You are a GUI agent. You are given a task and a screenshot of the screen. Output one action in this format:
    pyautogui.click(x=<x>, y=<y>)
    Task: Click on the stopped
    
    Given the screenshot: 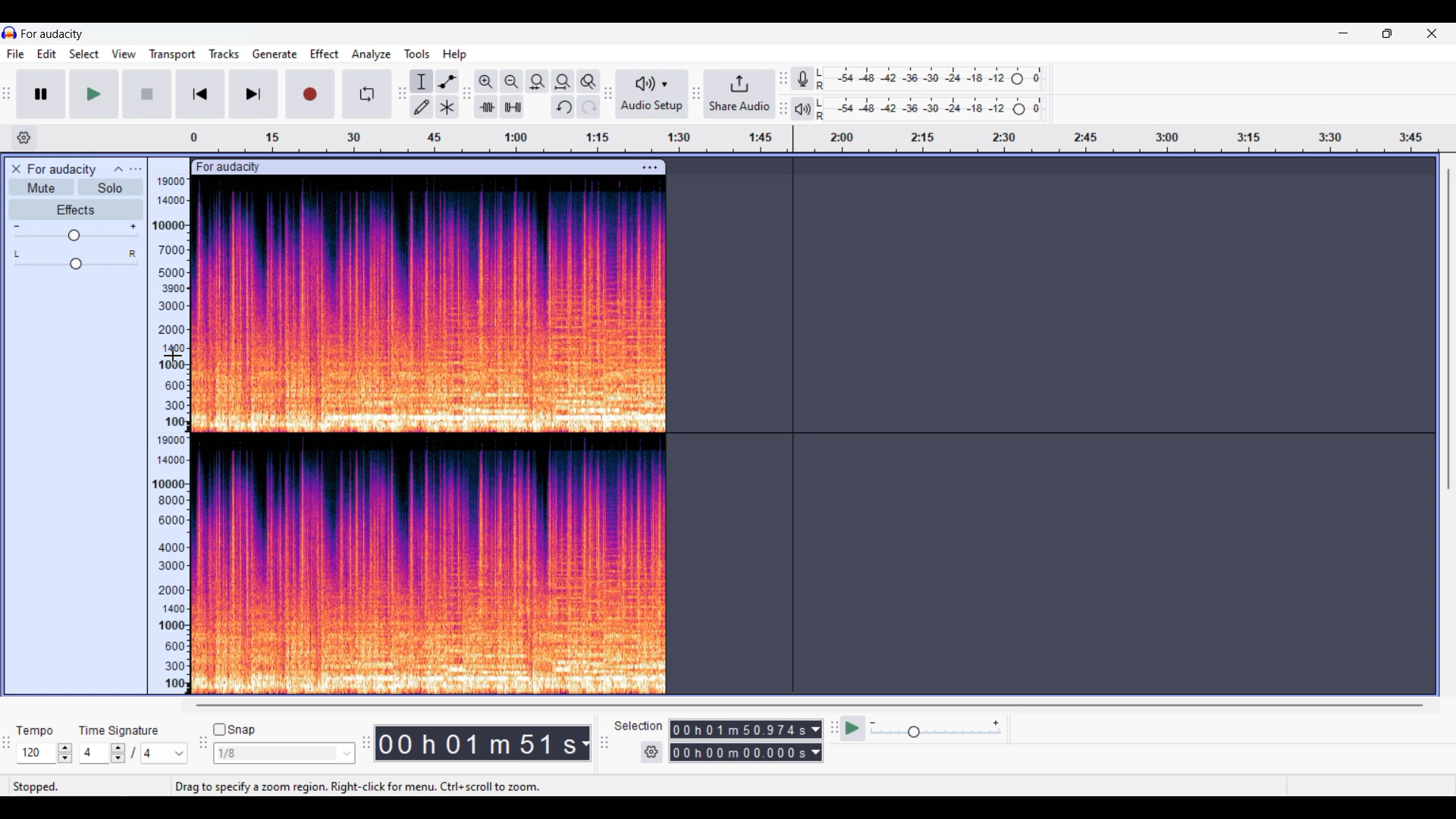 What is the action you would take?
    pyautogui.click(x=37, y=786)
    